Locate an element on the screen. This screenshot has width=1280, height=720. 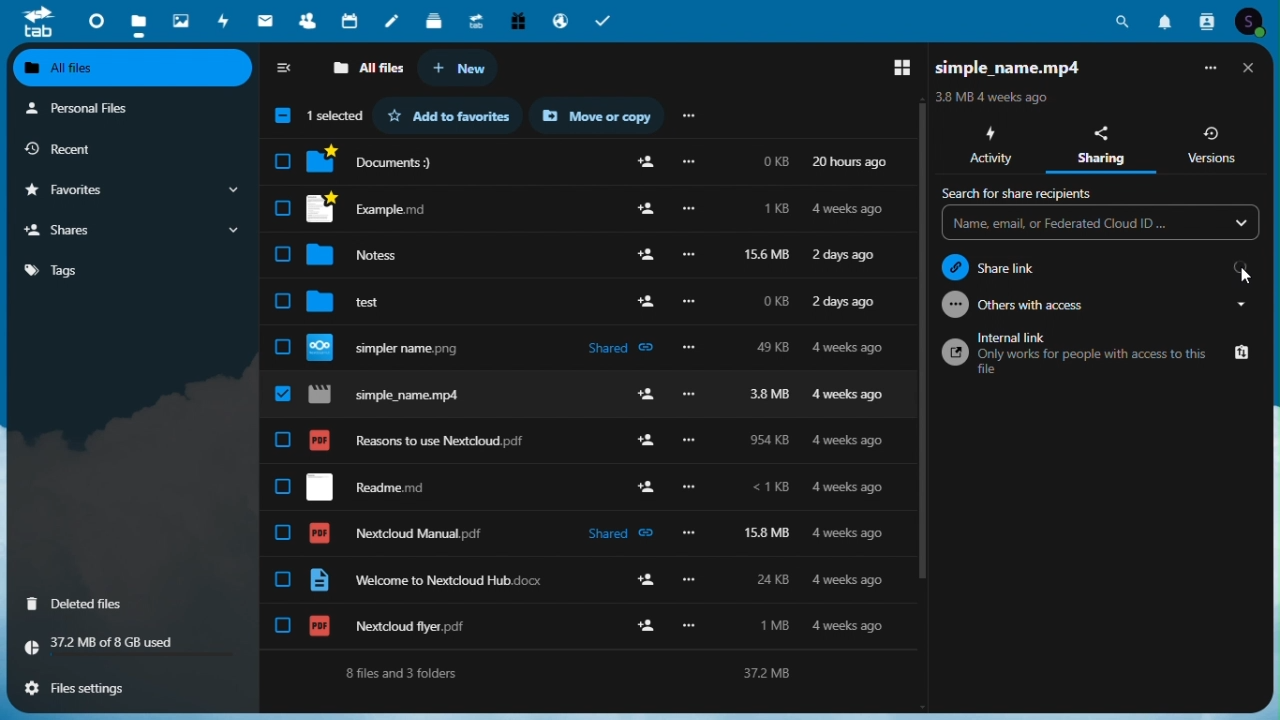
Activity is located at coordinates (992, 146).